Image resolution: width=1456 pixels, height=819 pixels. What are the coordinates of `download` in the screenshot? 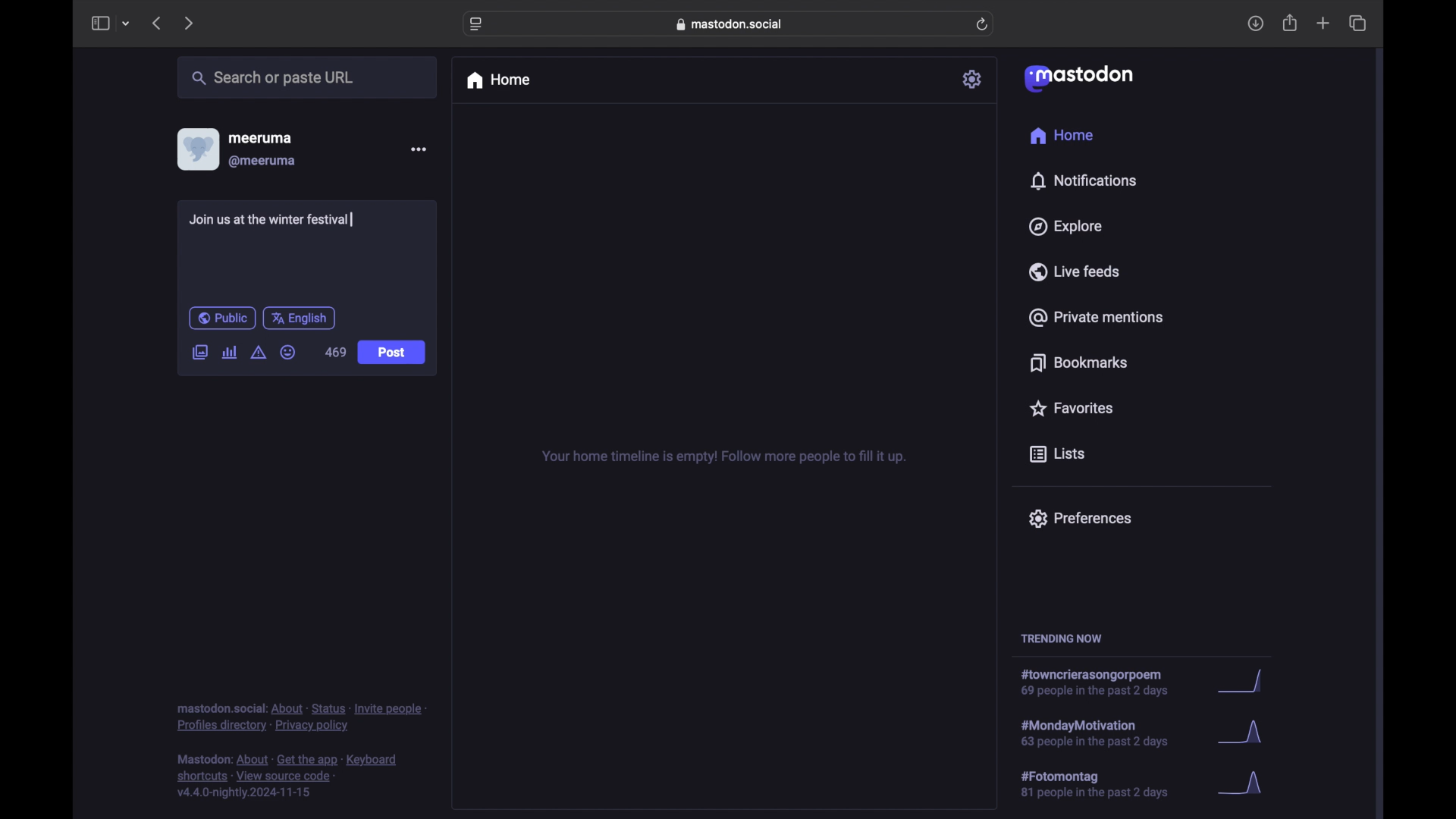 It's located at (1256, 24).